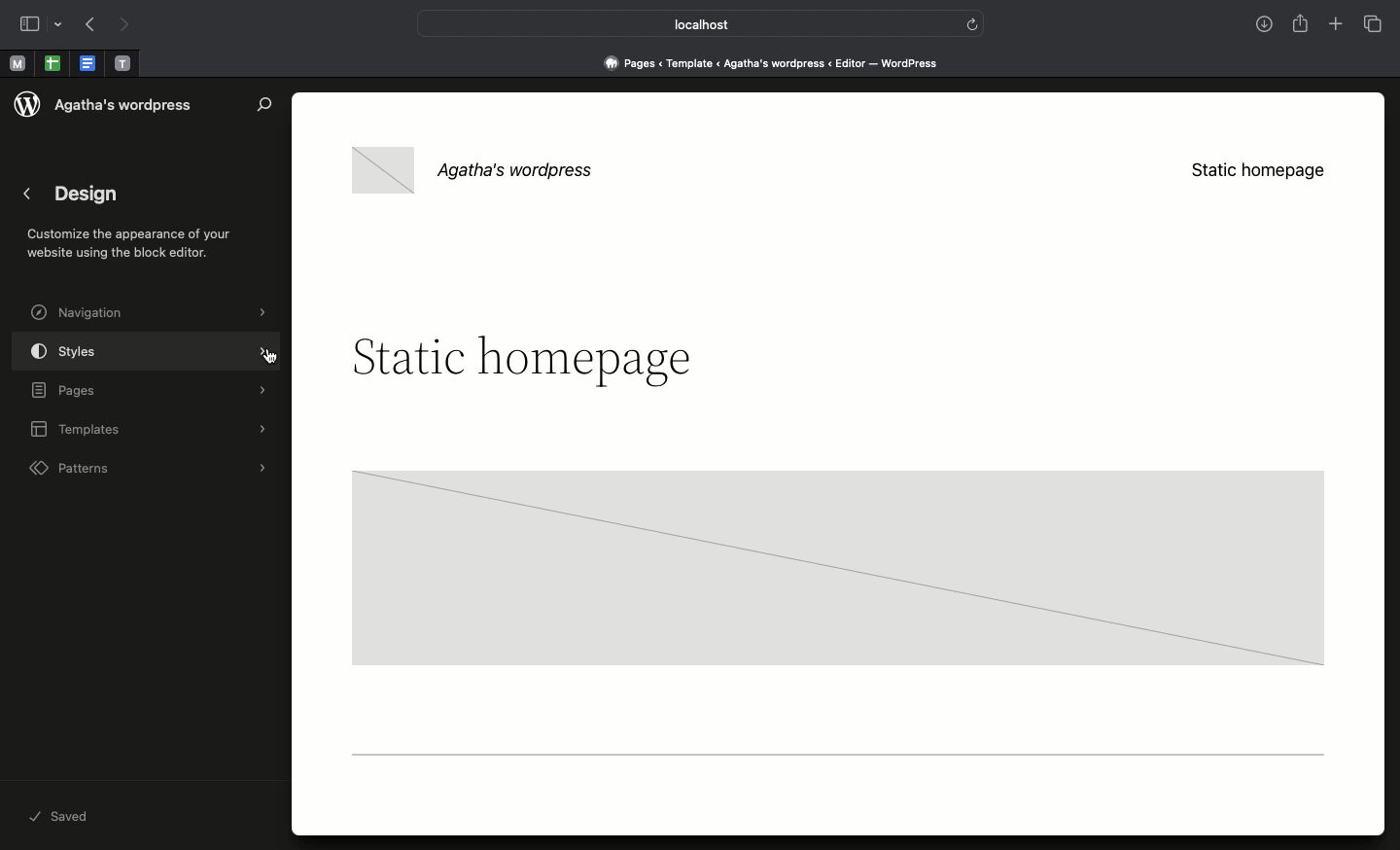  I want to click on wordpress logo, so click(26, 106).